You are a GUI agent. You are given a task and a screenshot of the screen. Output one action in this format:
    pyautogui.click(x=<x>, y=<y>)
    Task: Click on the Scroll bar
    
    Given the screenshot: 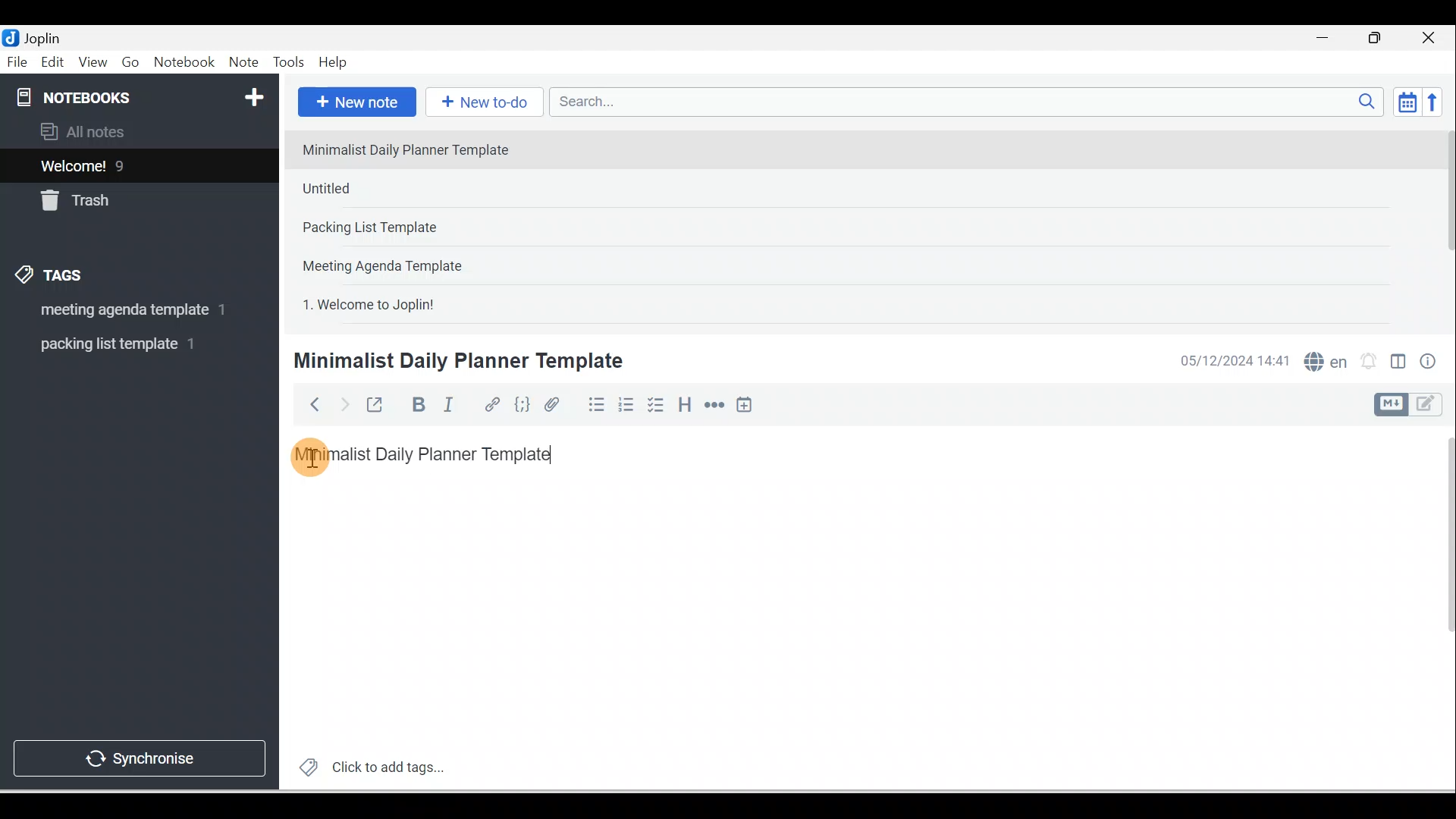 What is the action you would take?
    pyautogui.click(x=1444, y=224)
    